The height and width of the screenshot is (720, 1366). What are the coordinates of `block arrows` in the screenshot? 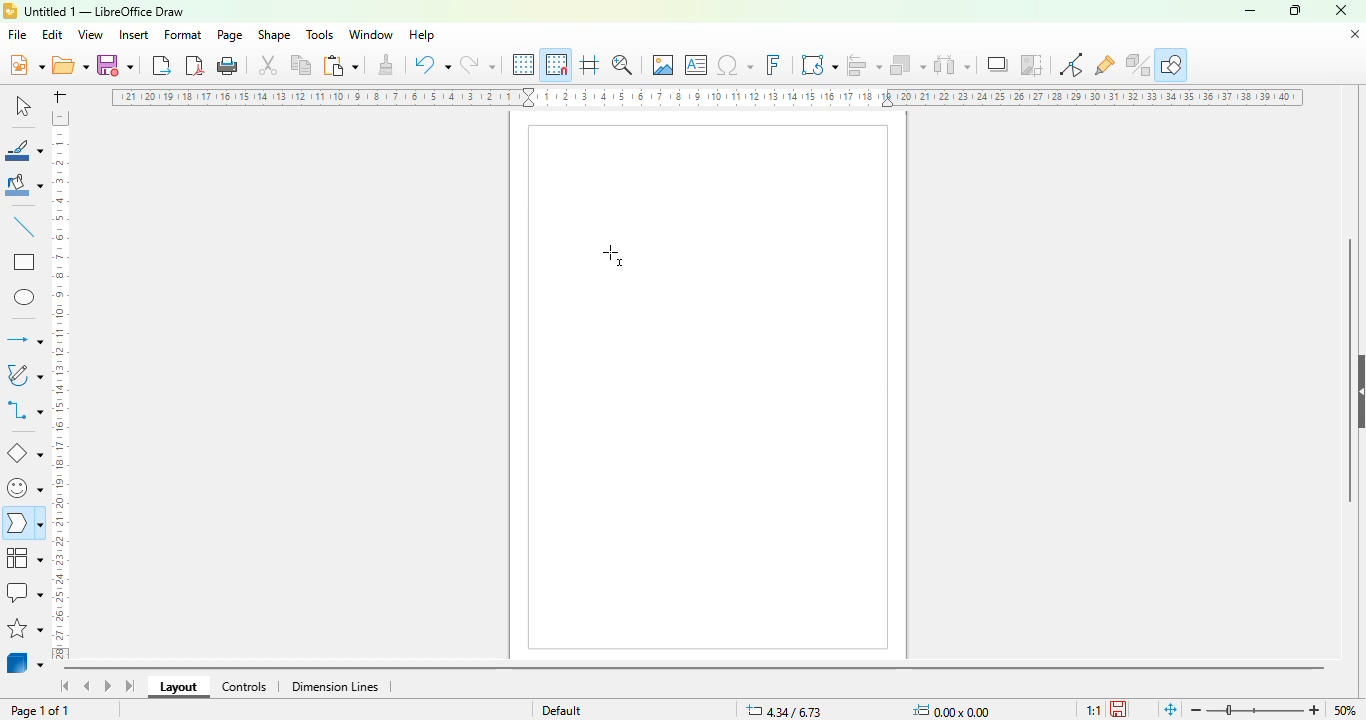 It's located at (23, 525).